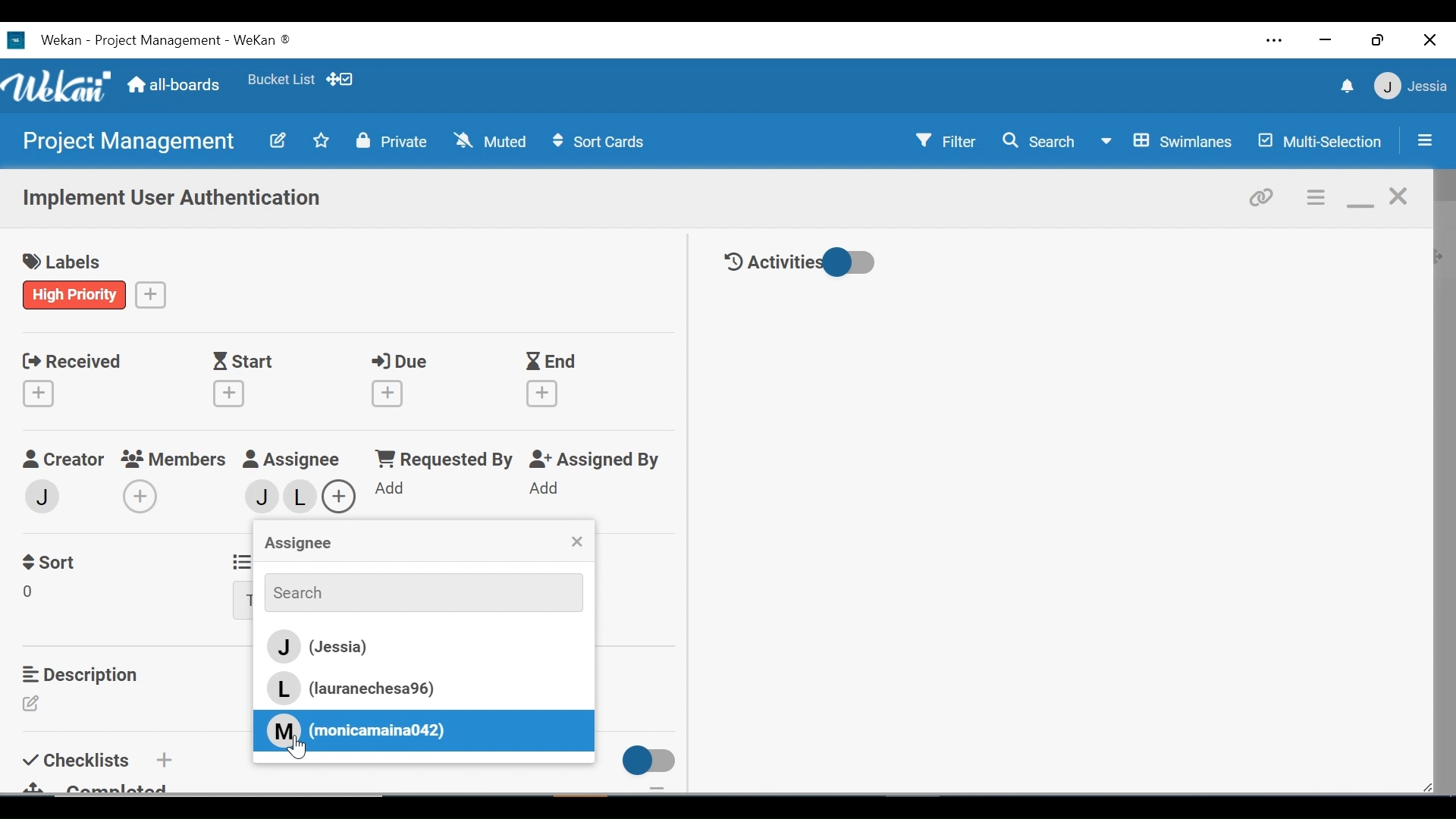 The height and width of the screenshot is (819, 1456). I want to click on Create Start Date, so click(229, 394).